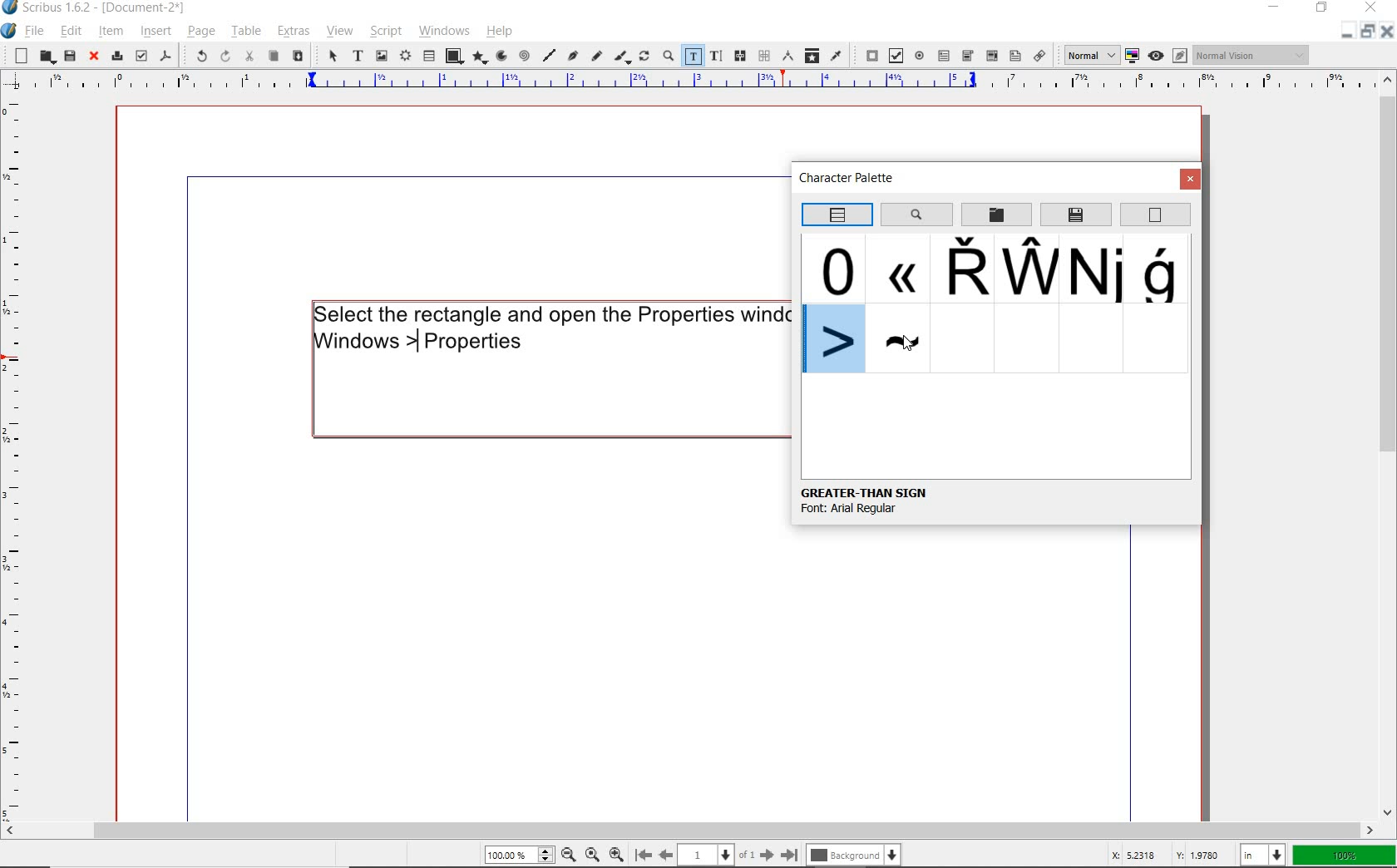 This screenshot has height=868, width=1397. I want to click on open, so click(45, 56).